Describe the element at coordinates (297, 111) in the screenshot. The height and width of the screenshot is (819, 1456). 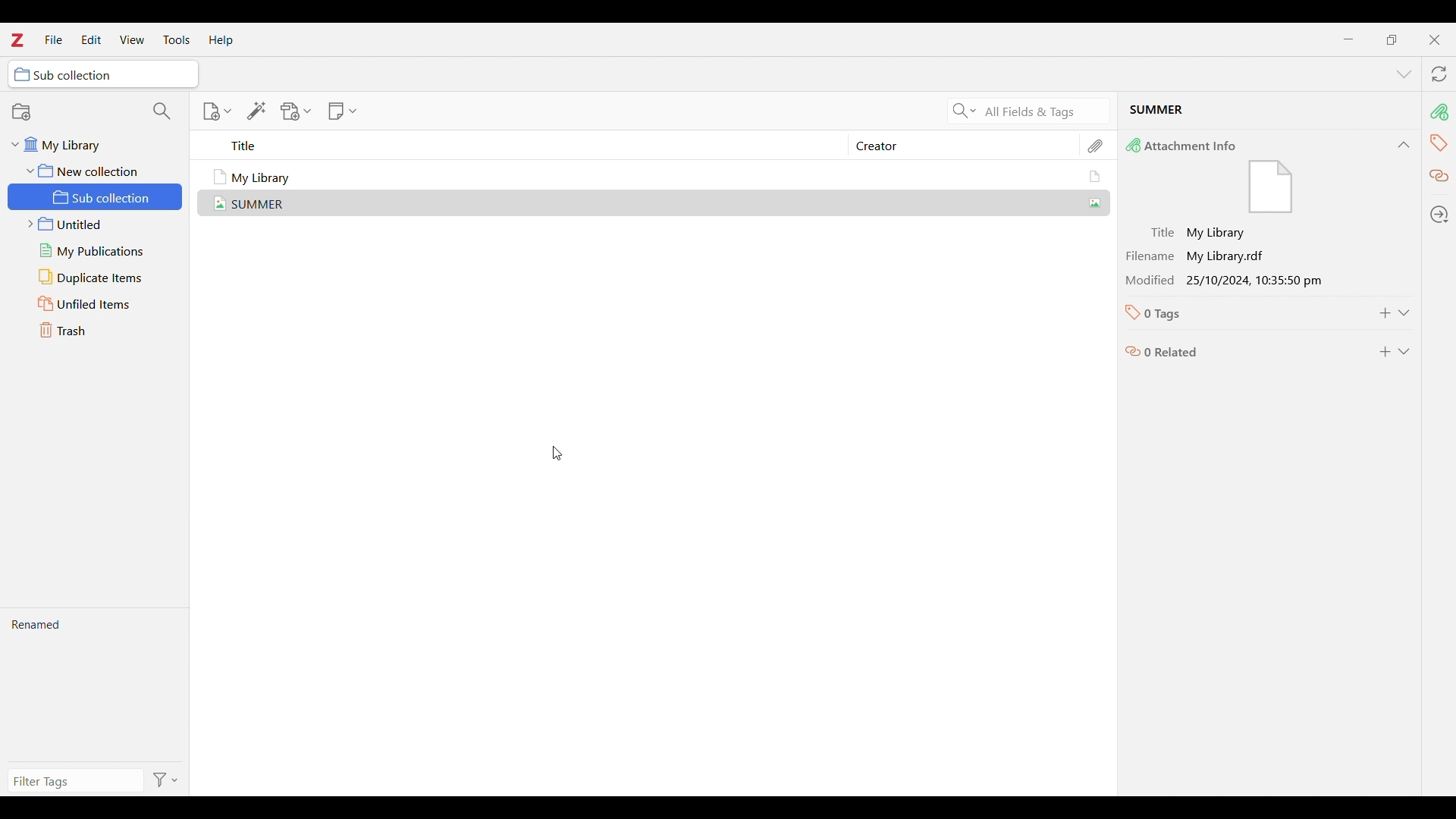
I see `Add attachment ` at that location.